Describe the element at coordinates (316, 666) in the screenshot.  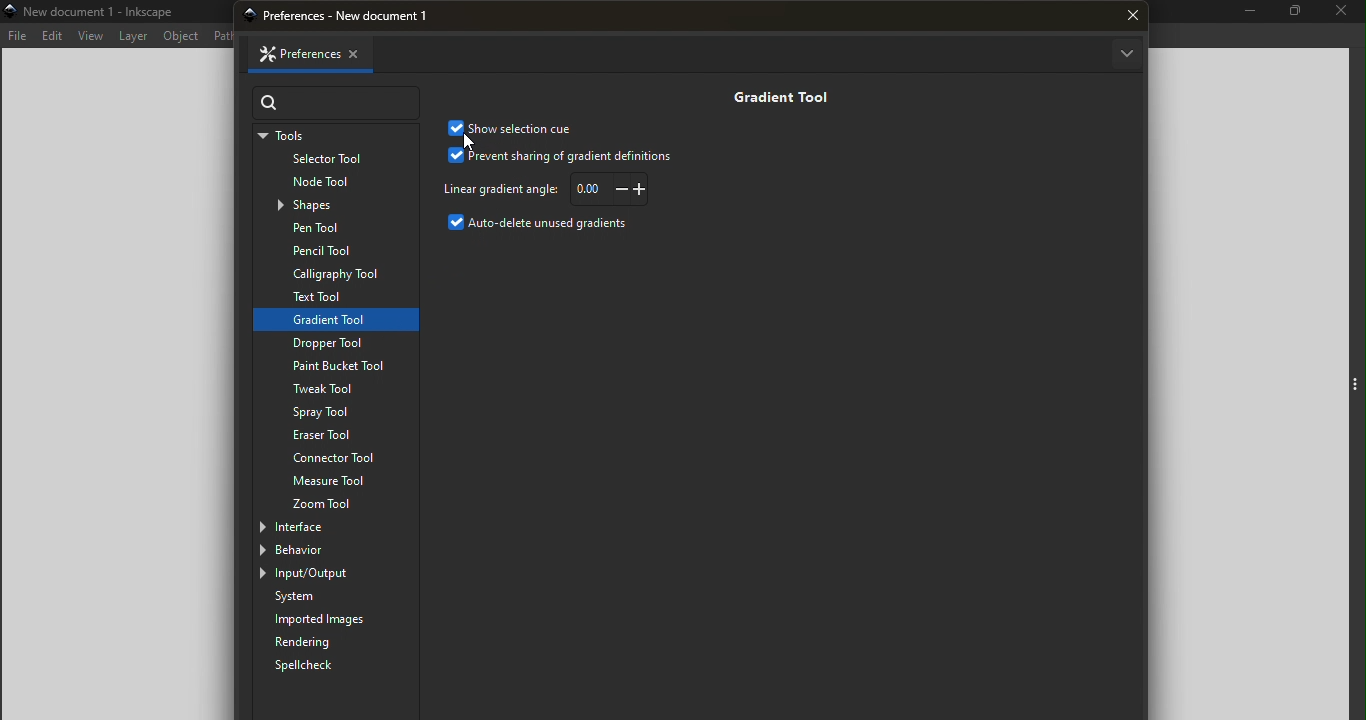
I see `Spellcheck` at that location.